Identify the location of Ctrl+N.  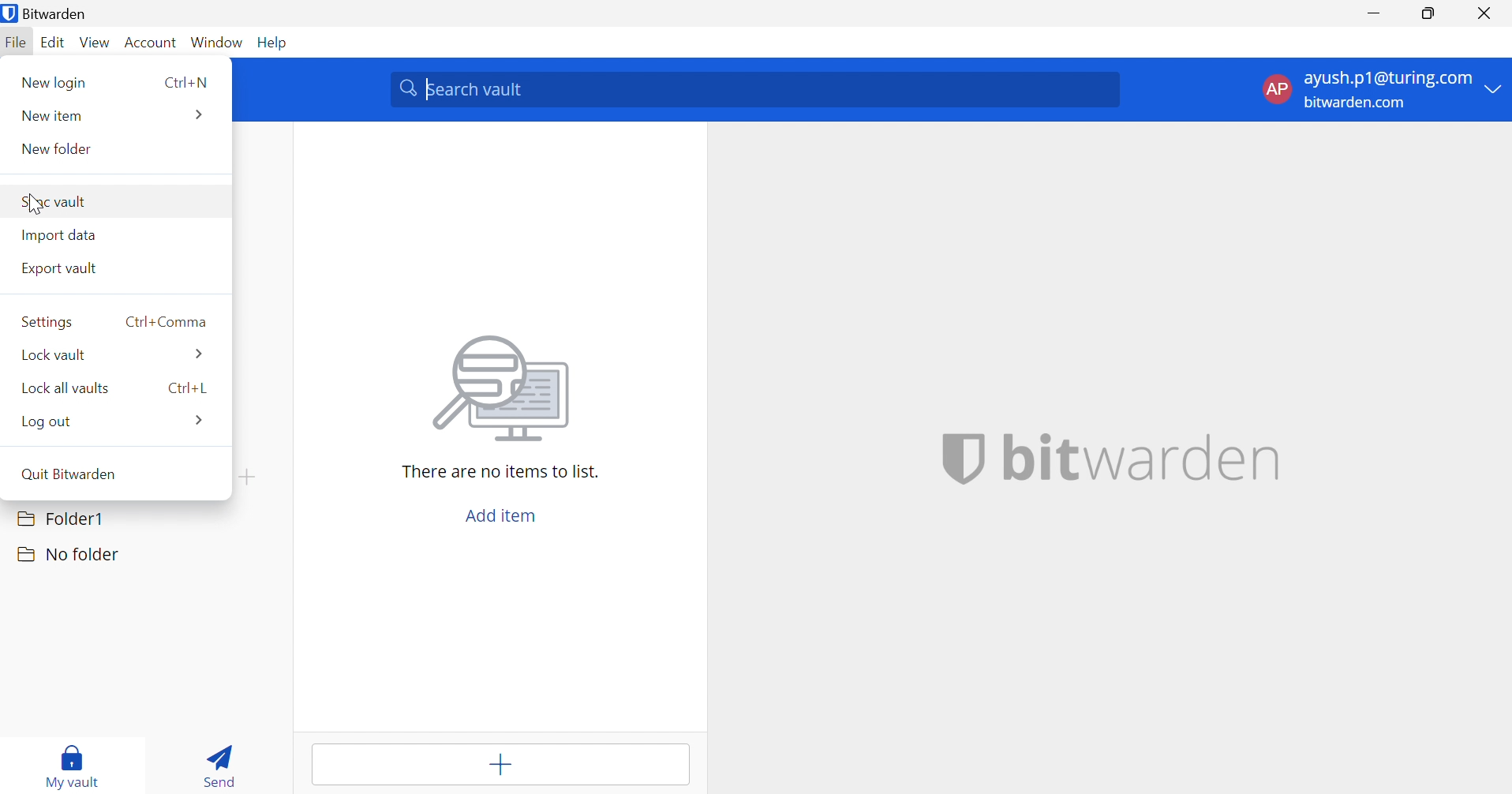
(185, 81).